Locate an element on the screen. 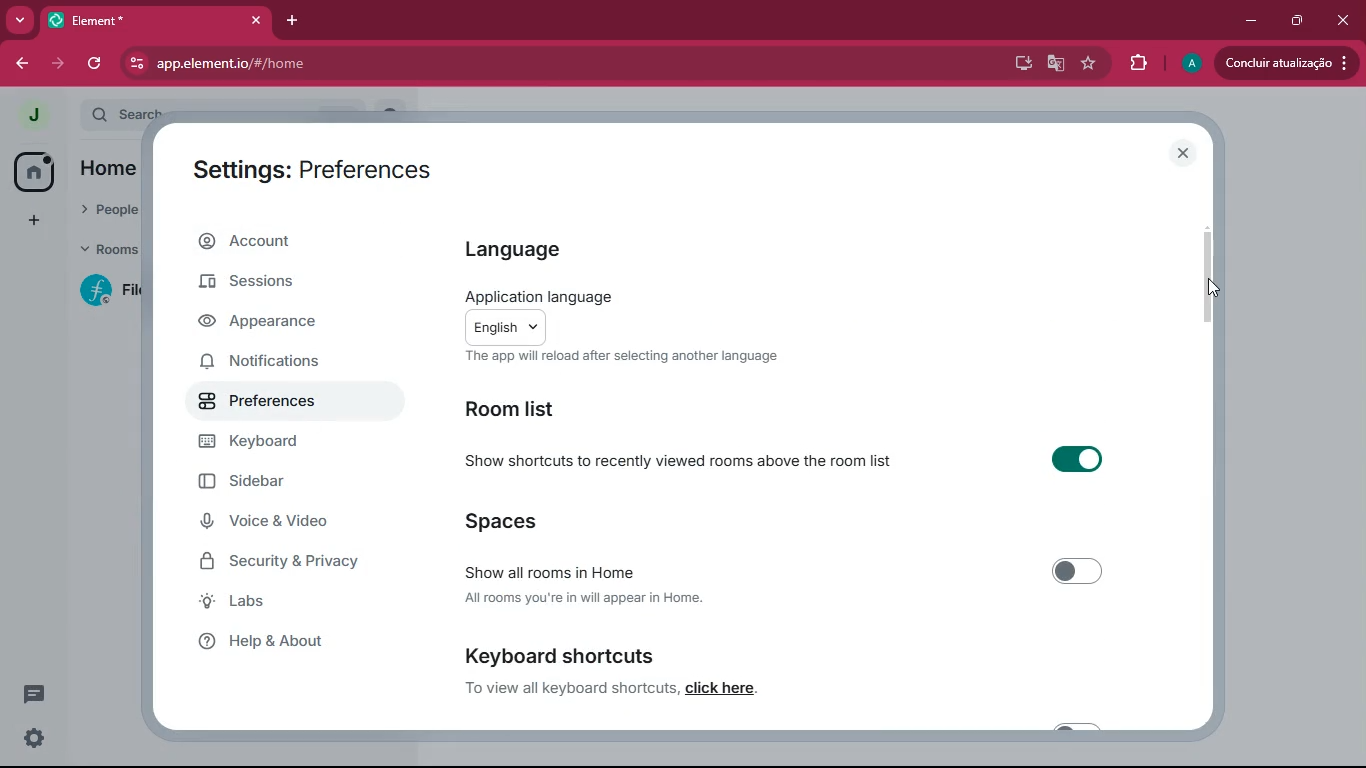 The height and width of the screenshot is (768, 1366). security & privacy is located at coordinates (283, 566).